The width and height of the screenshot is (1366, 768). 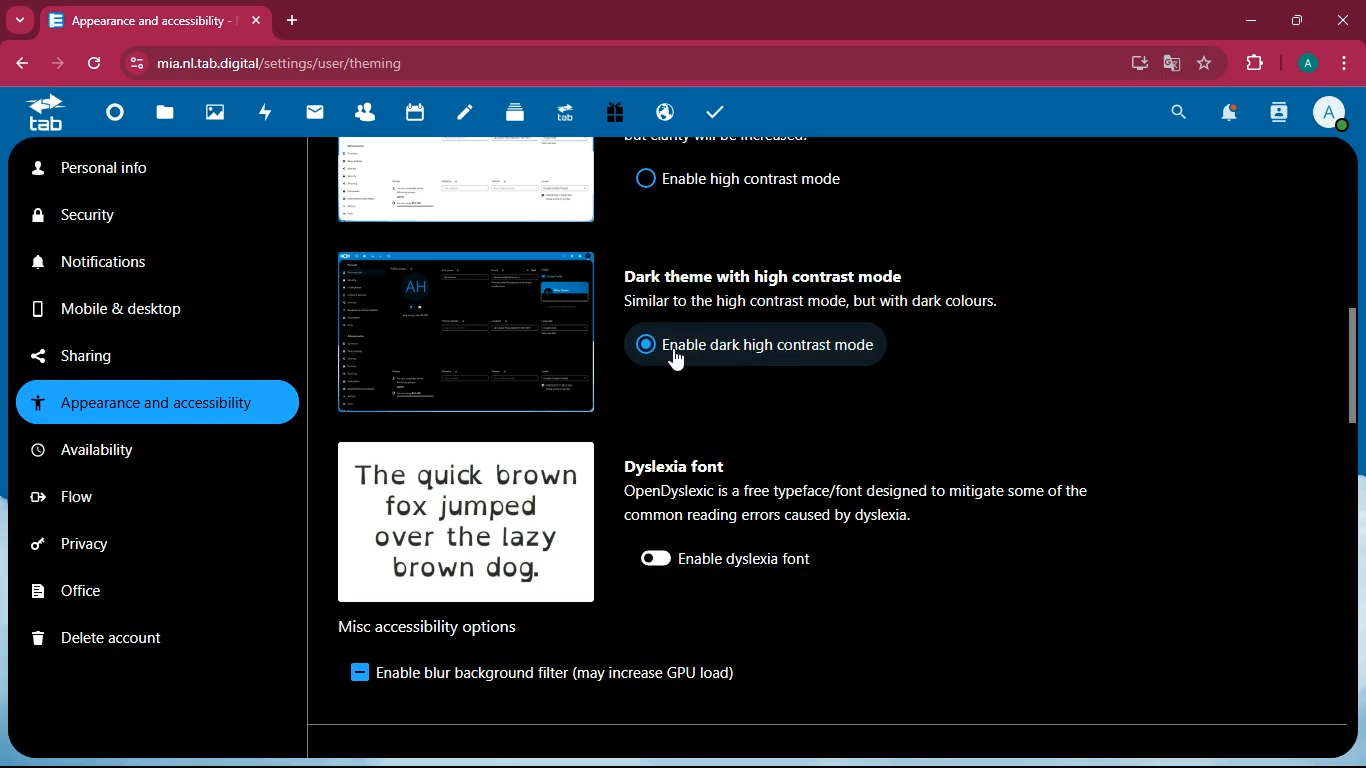 What do you see at coordinates (100, 591) in the screenshot?
I see `office` at bounding box center [100, 591].